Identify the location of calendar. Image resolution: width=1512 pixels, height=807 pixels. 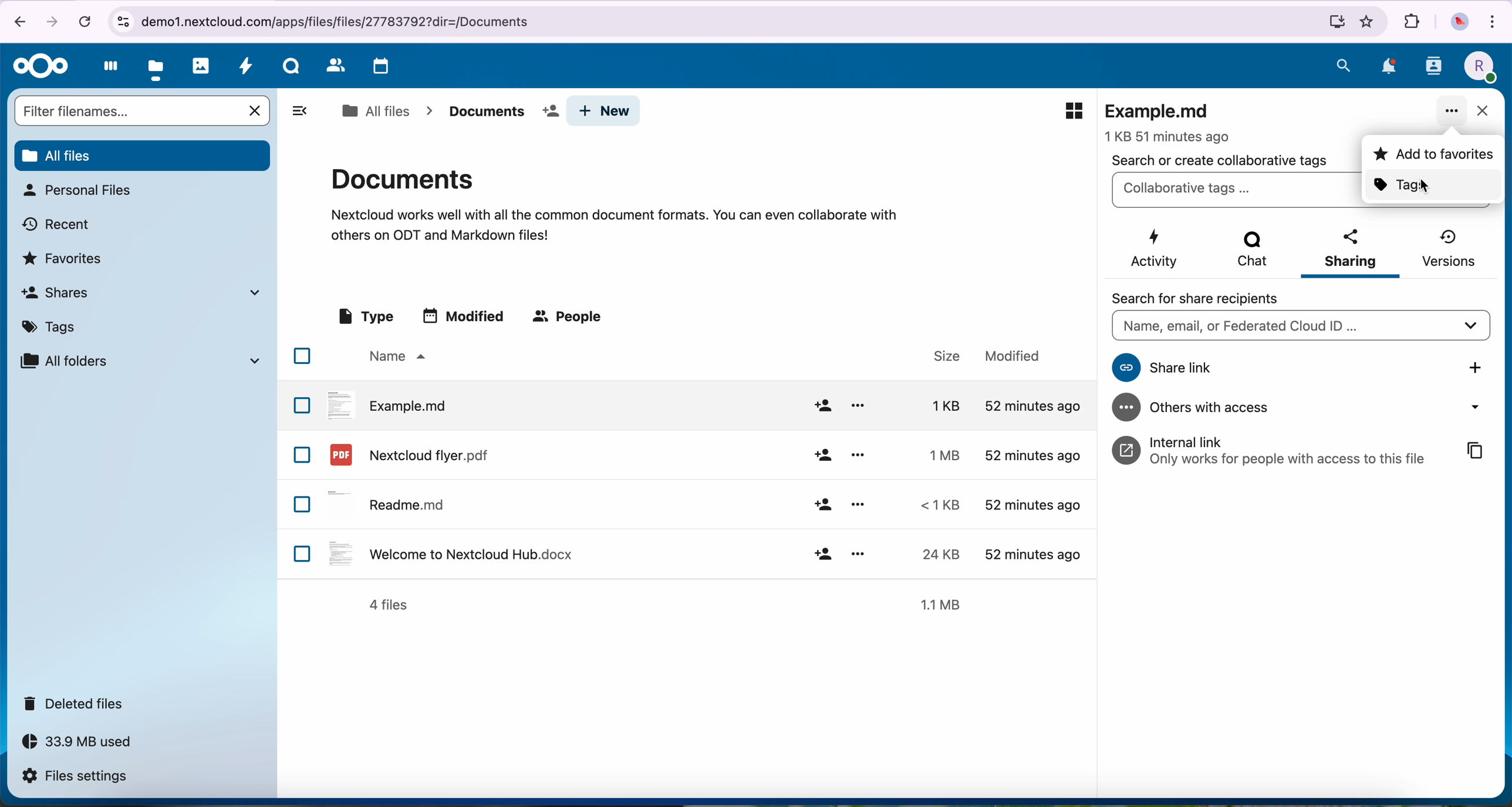
(378, 67).